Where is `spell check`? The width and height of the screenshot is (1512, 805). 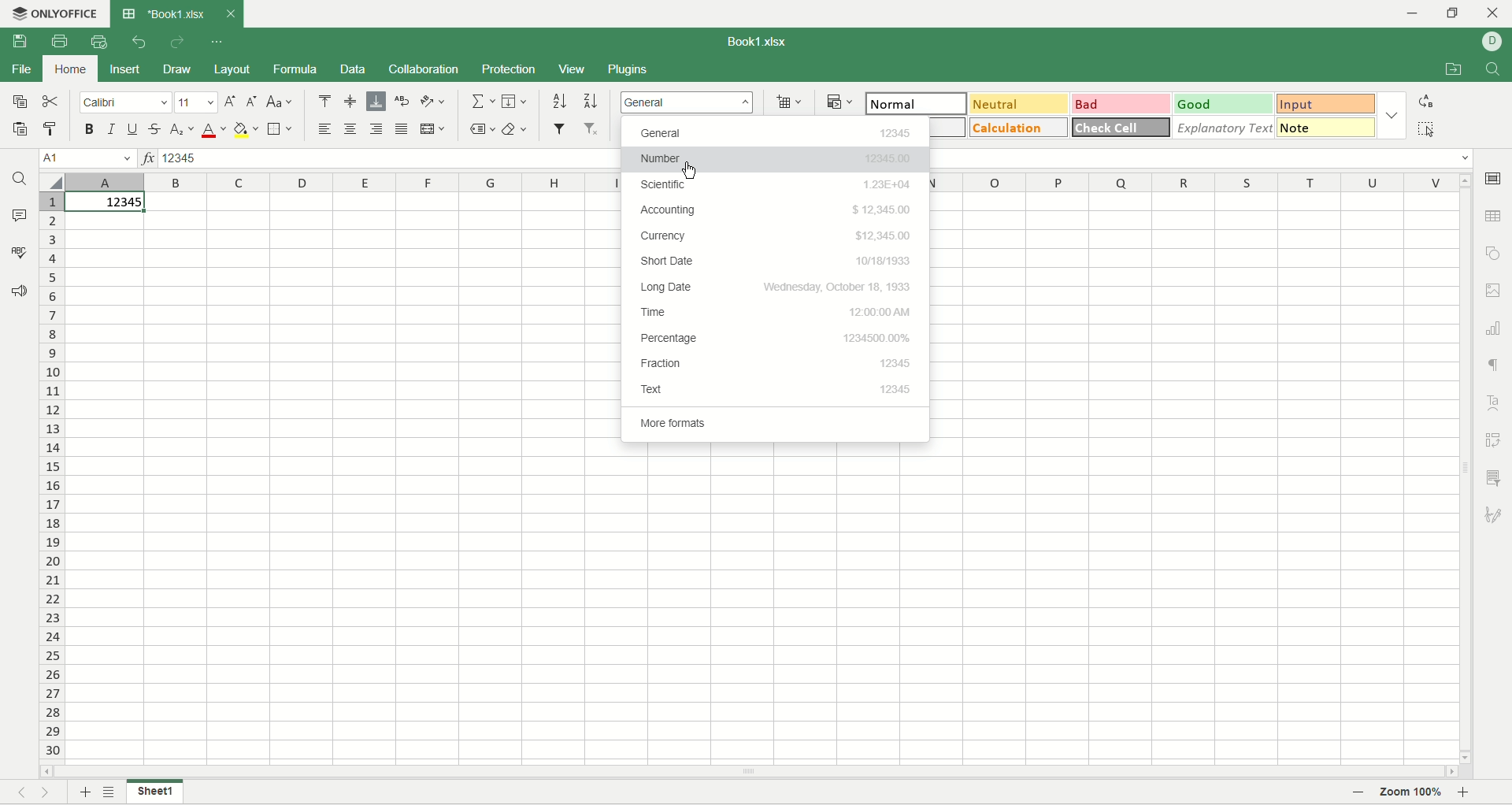 spell check is located at coordinates (17, 252).